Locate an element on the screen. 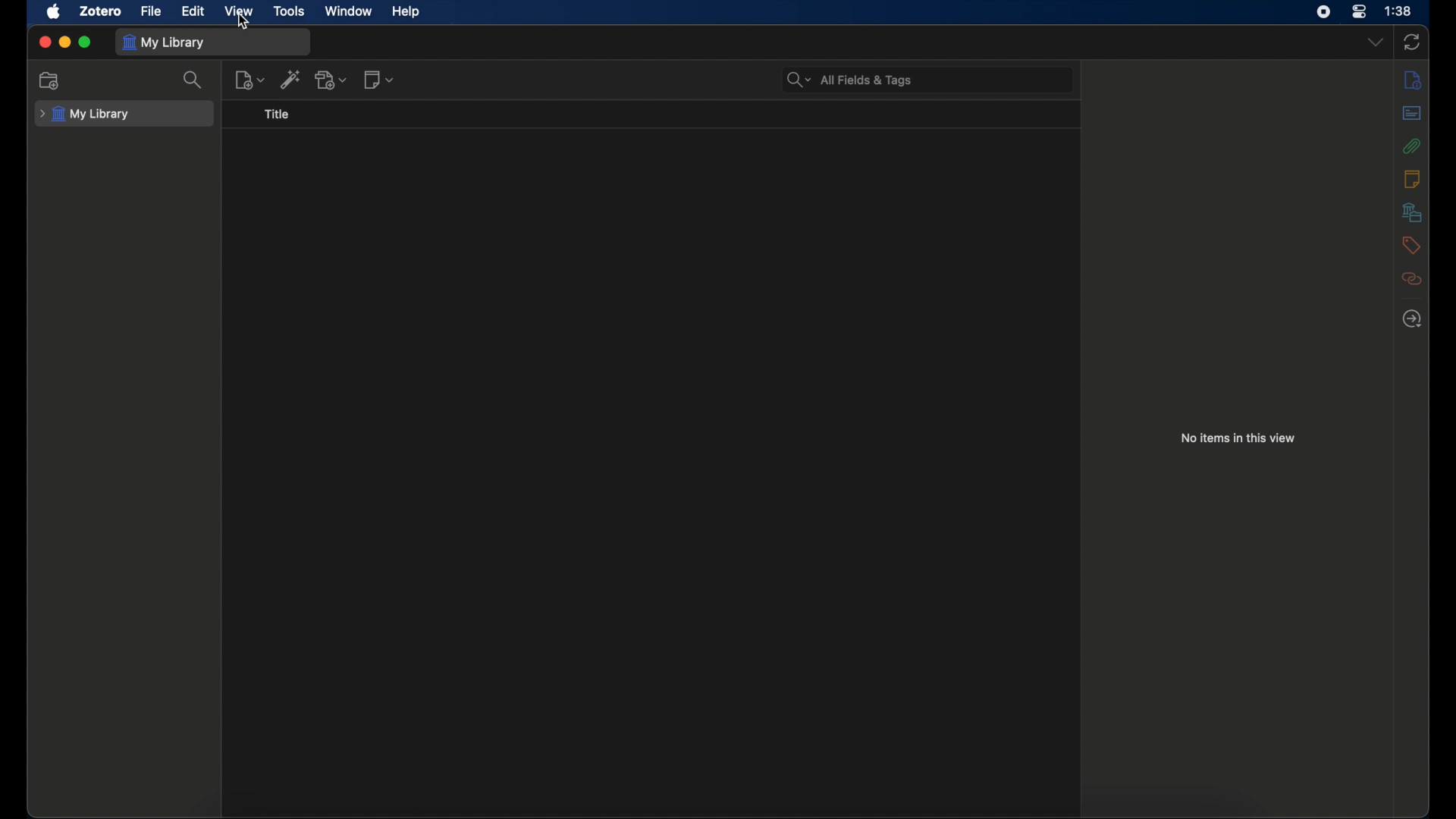 Image resolution: width=1456 pixels, height=819 pixels. All Fields & Tags is located at coordinates (852, 79).